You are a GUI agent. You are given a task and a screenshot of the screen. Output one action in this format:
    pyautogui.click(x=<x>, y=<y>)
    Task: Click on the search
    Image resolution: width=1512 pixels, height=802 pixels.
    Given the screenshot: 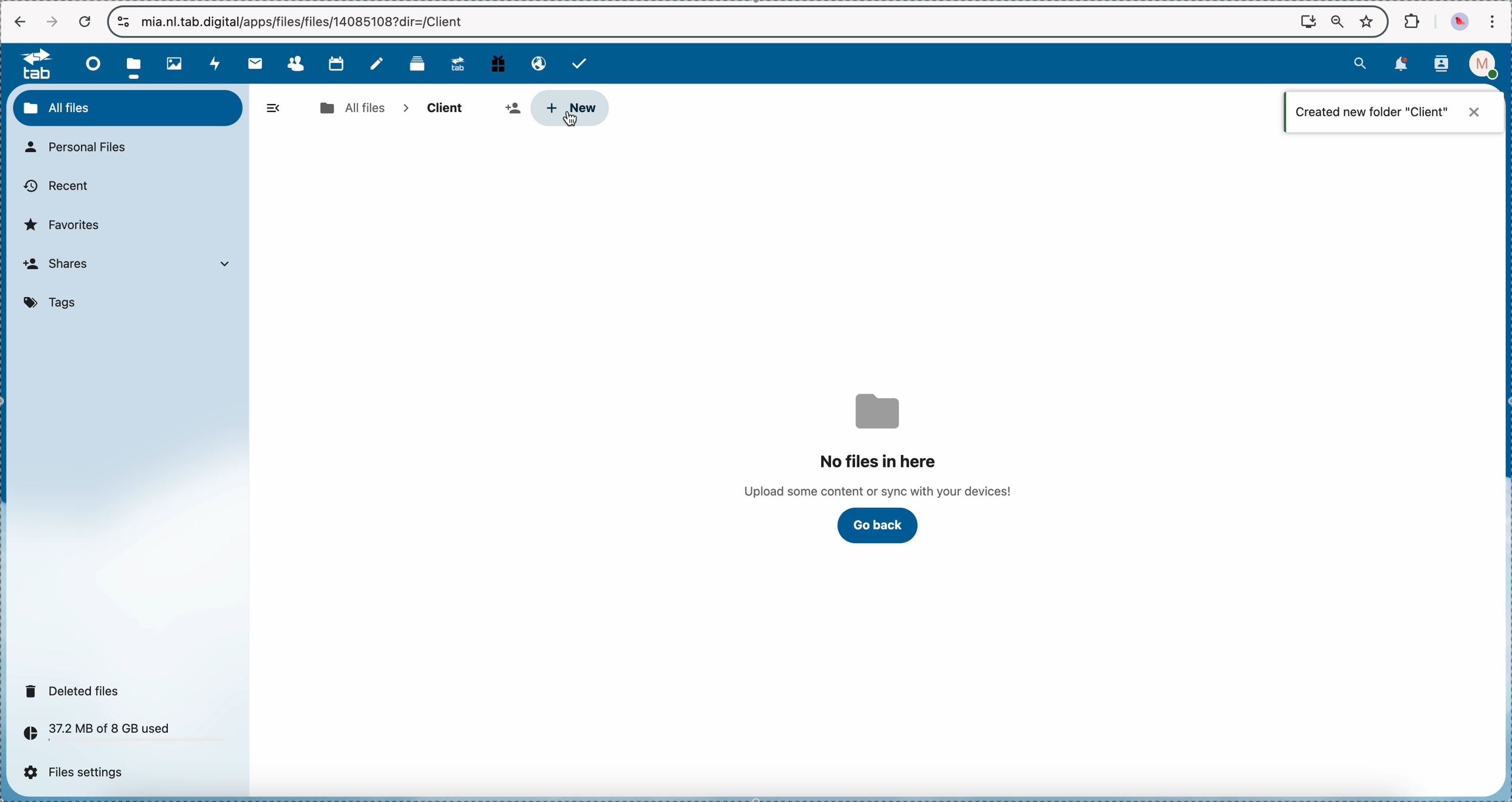 What is the action you would take?
    pyautogui.click(x=1360, y=62)
    